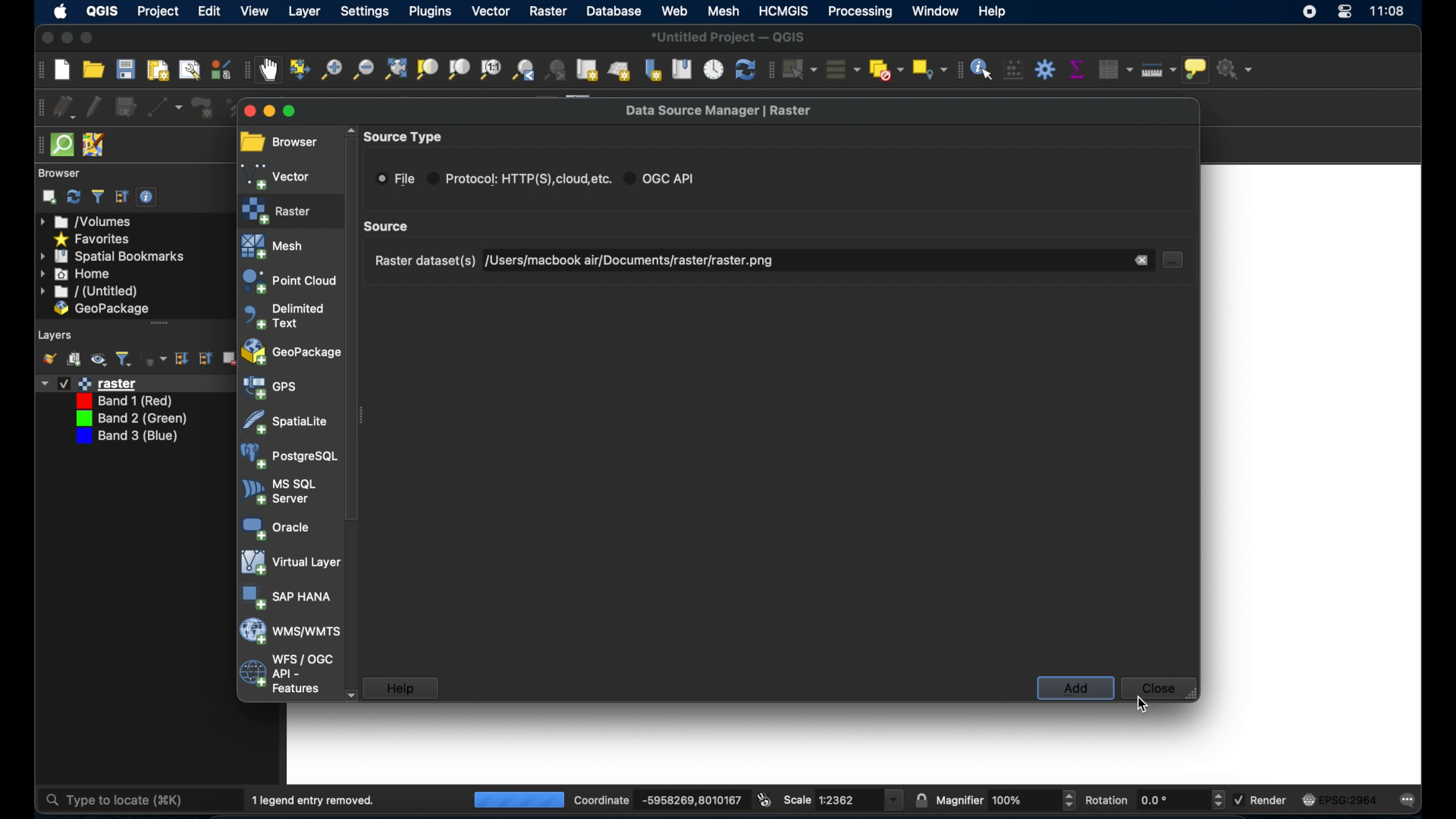  What do you see at coordinates (306, 14) in the screenshot?
I see `layer` at bounding box center [306, 14].